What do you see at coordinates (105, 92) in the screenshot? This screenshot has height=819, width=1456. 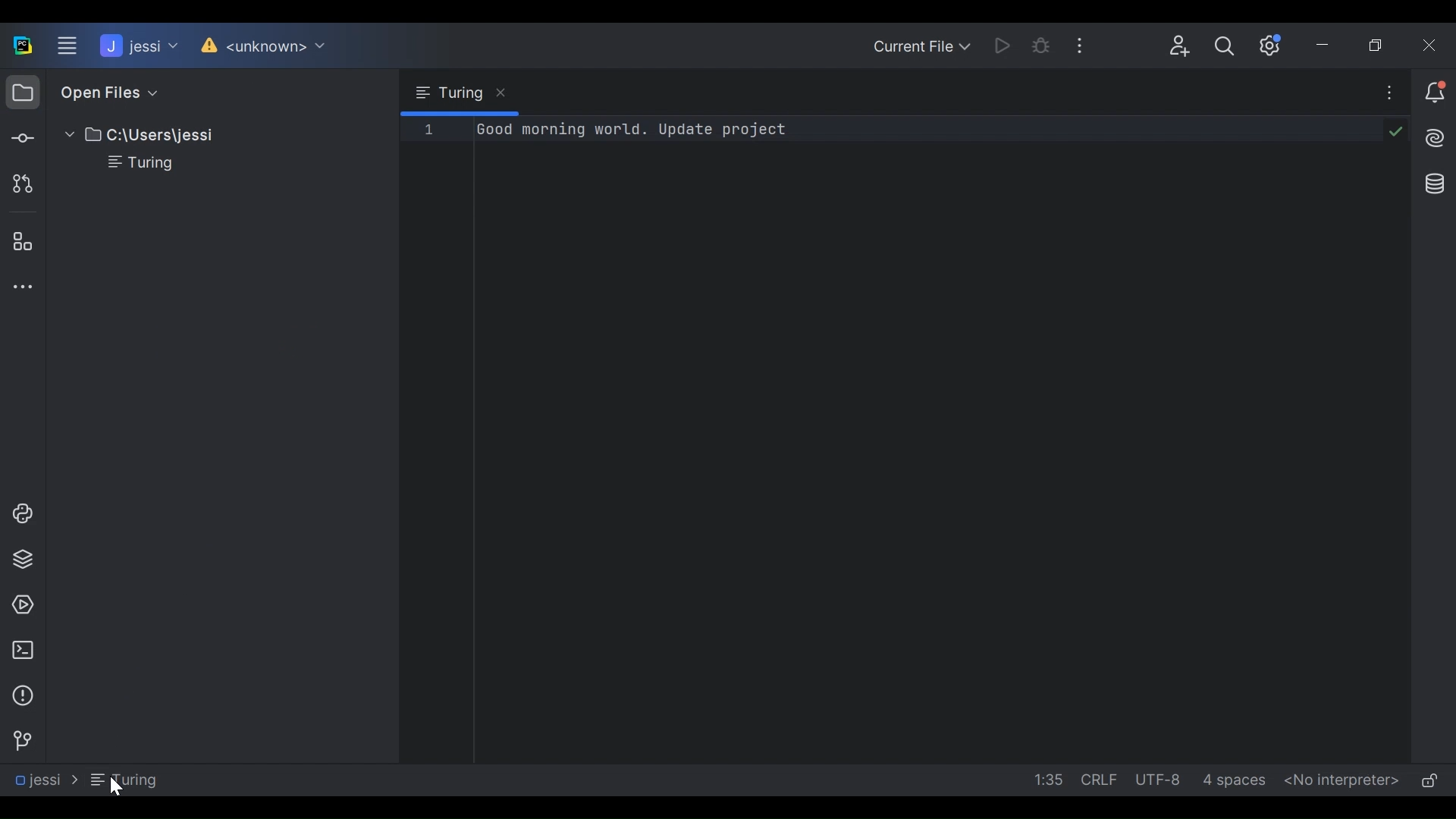 I see `Open Files` at bounding box center [105, 92].